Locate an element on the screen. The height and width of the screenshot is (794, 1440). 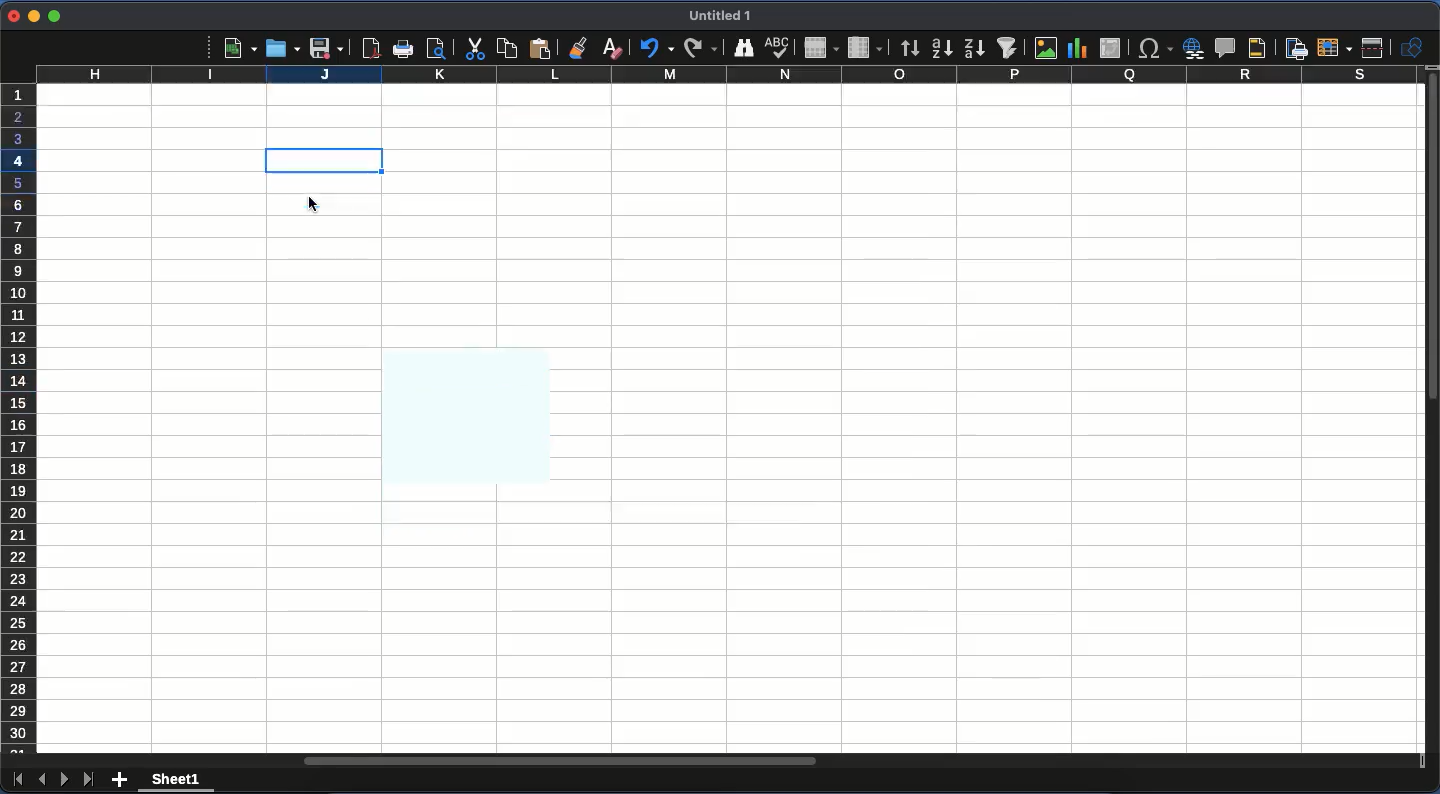
undo is located at coordinates (658, 47).